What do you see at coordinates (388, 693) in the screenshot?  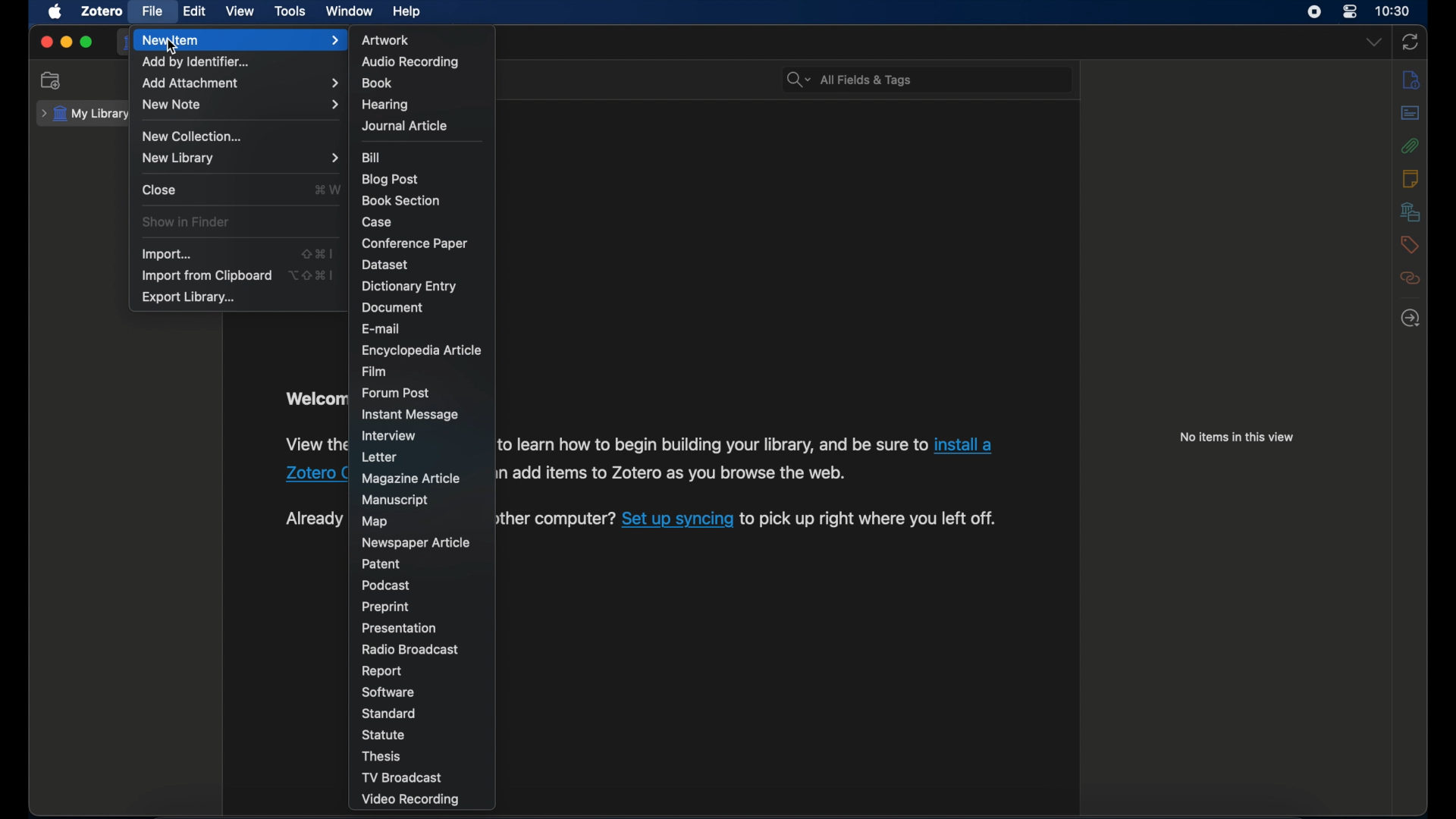 I see `software` at bounding box center [388, 693].